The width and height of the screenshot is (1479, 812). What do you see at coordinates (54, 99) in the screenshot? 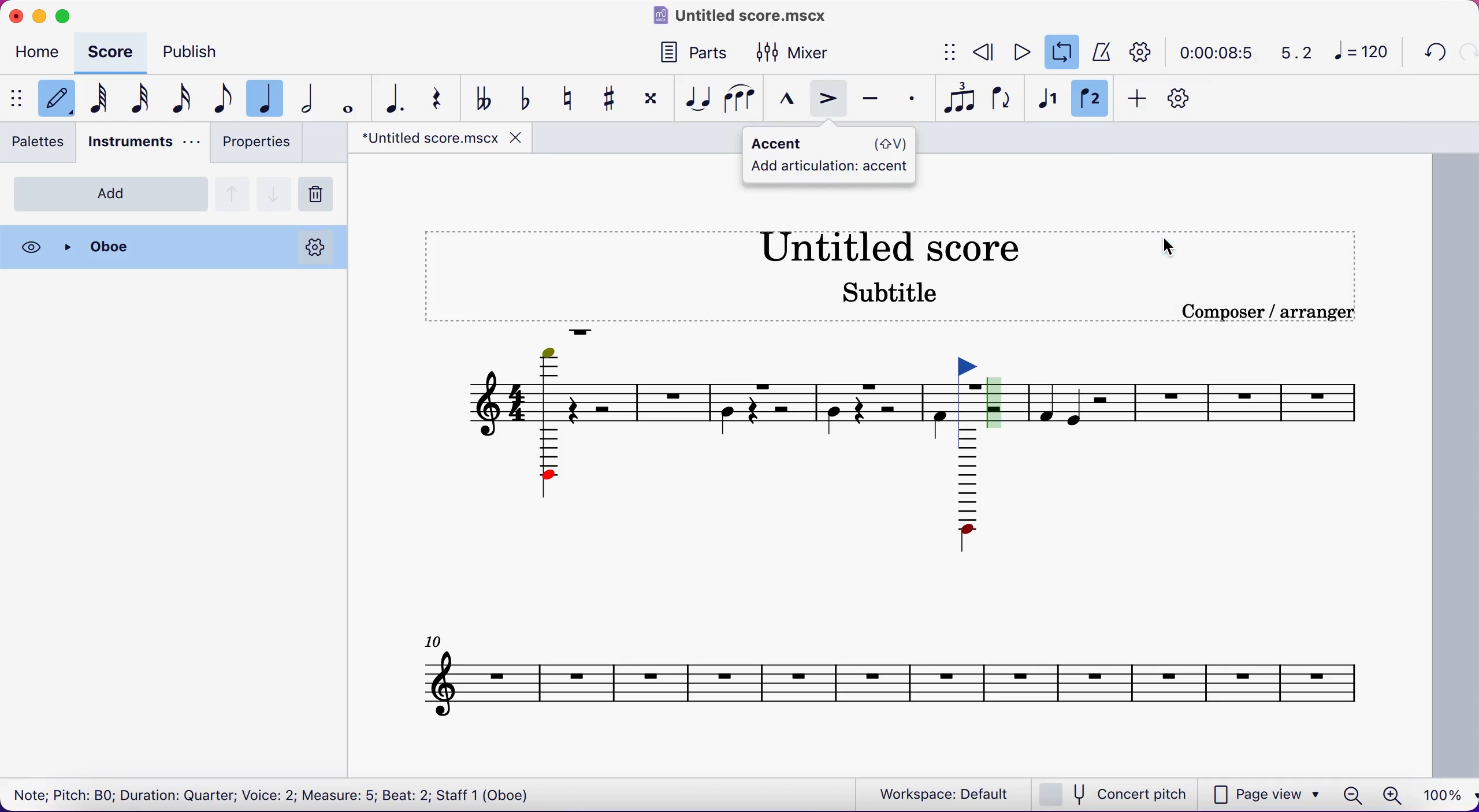
I see `default` at bounding box center [54, 99].